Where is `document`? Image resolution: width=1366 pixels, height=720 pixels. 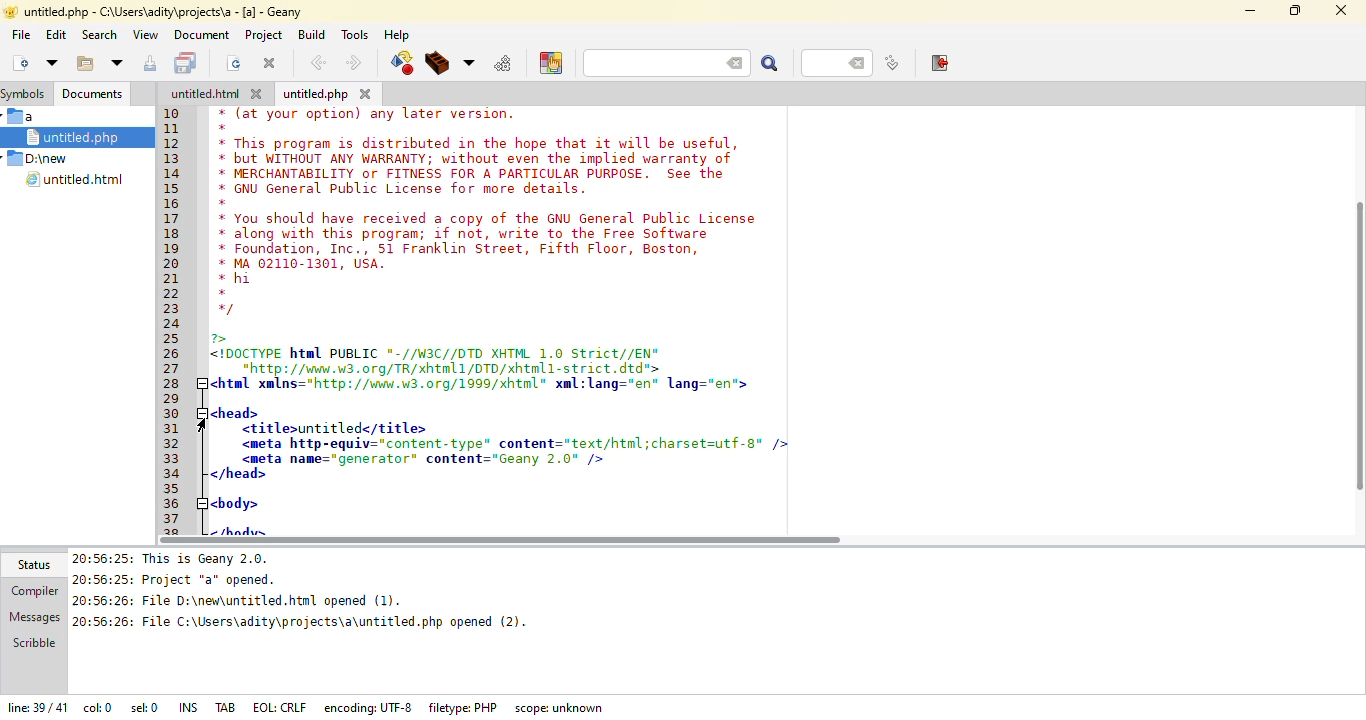
document is located at coordinates (201, 34).